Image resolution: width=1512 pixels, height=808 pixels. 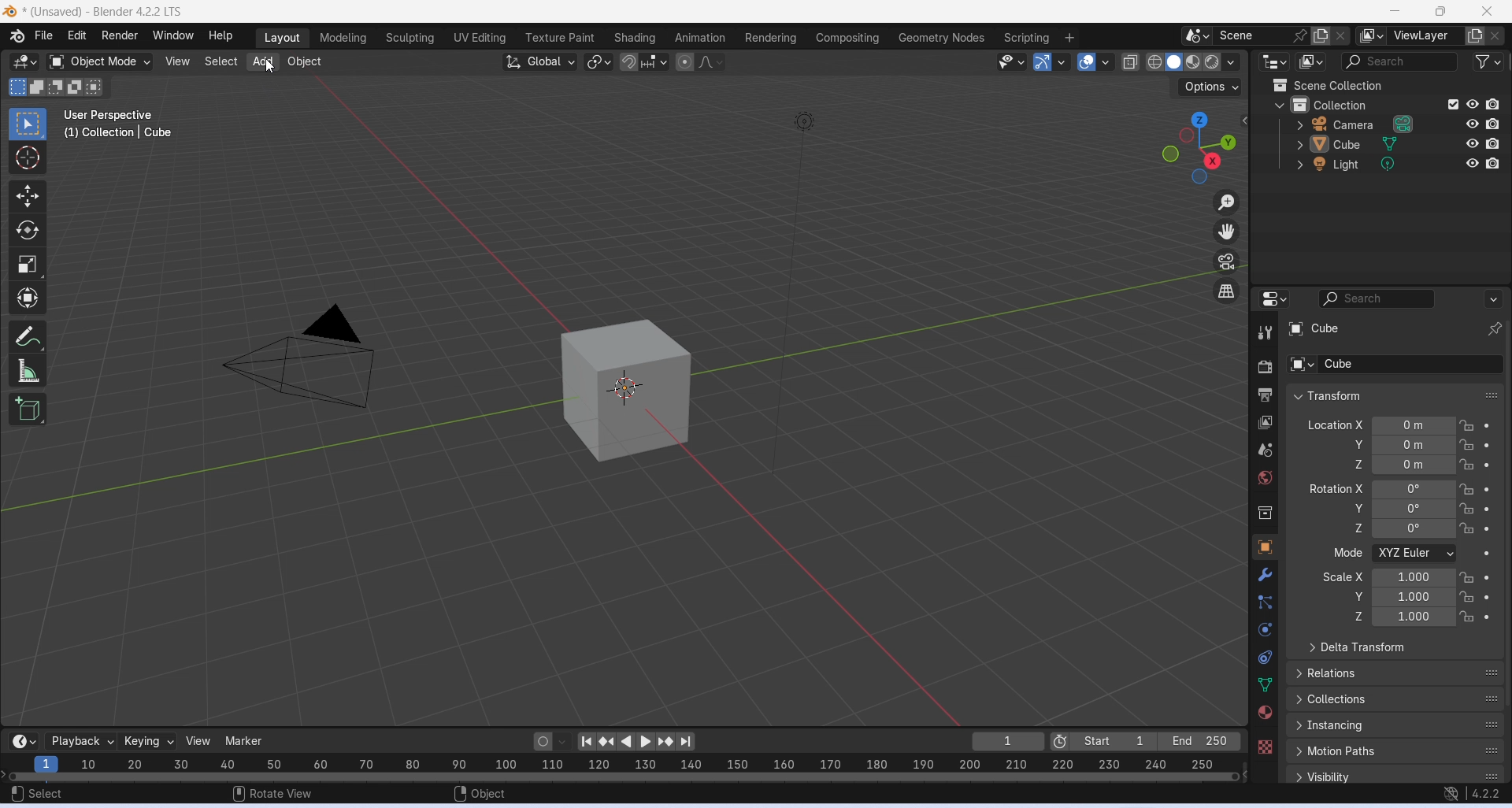 I want to click on view layer, so click(x=1266, y=423).